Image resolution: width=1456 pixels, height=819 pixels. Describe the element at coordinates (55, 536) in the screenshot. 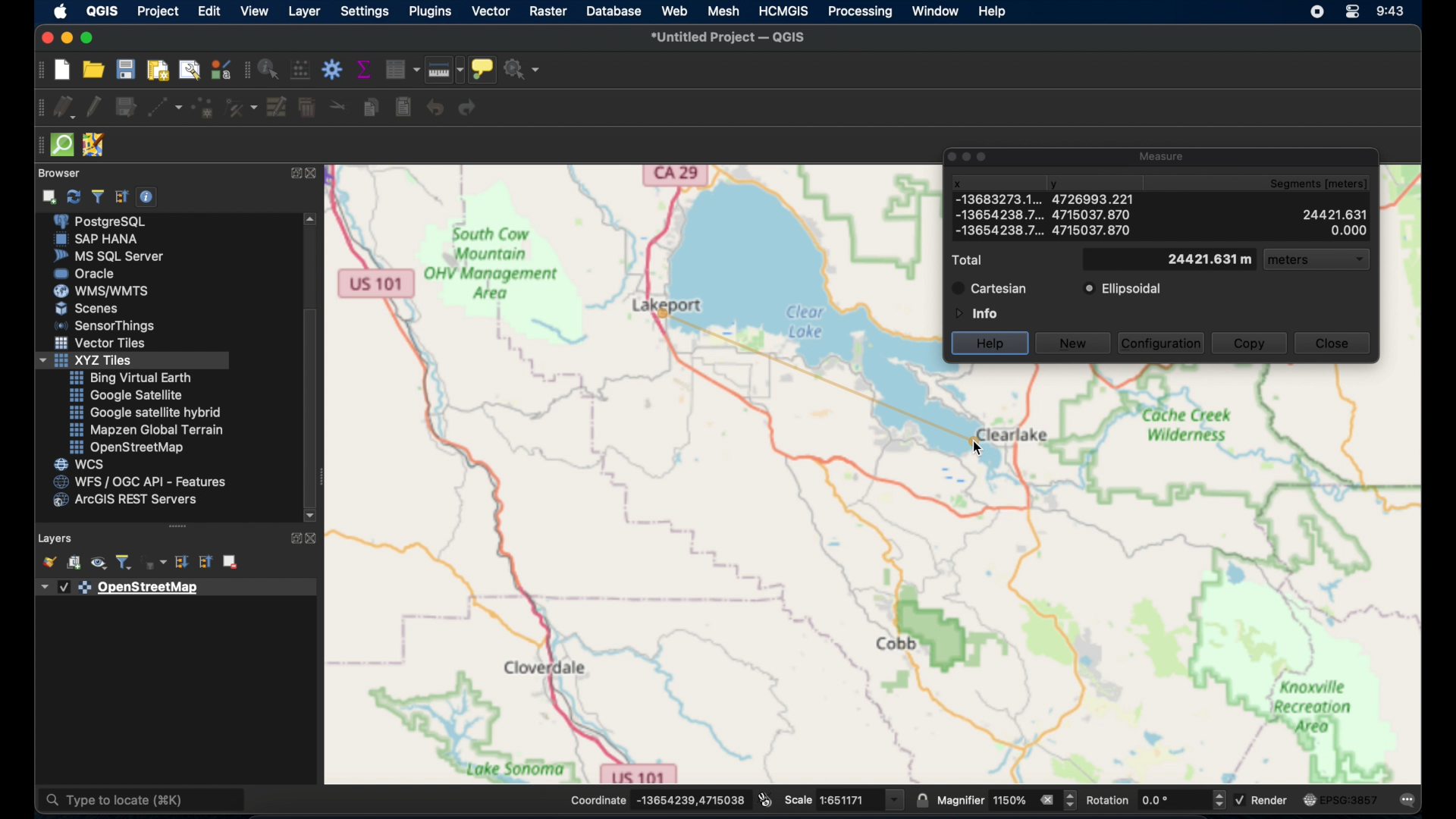

I see `layers` at that location.